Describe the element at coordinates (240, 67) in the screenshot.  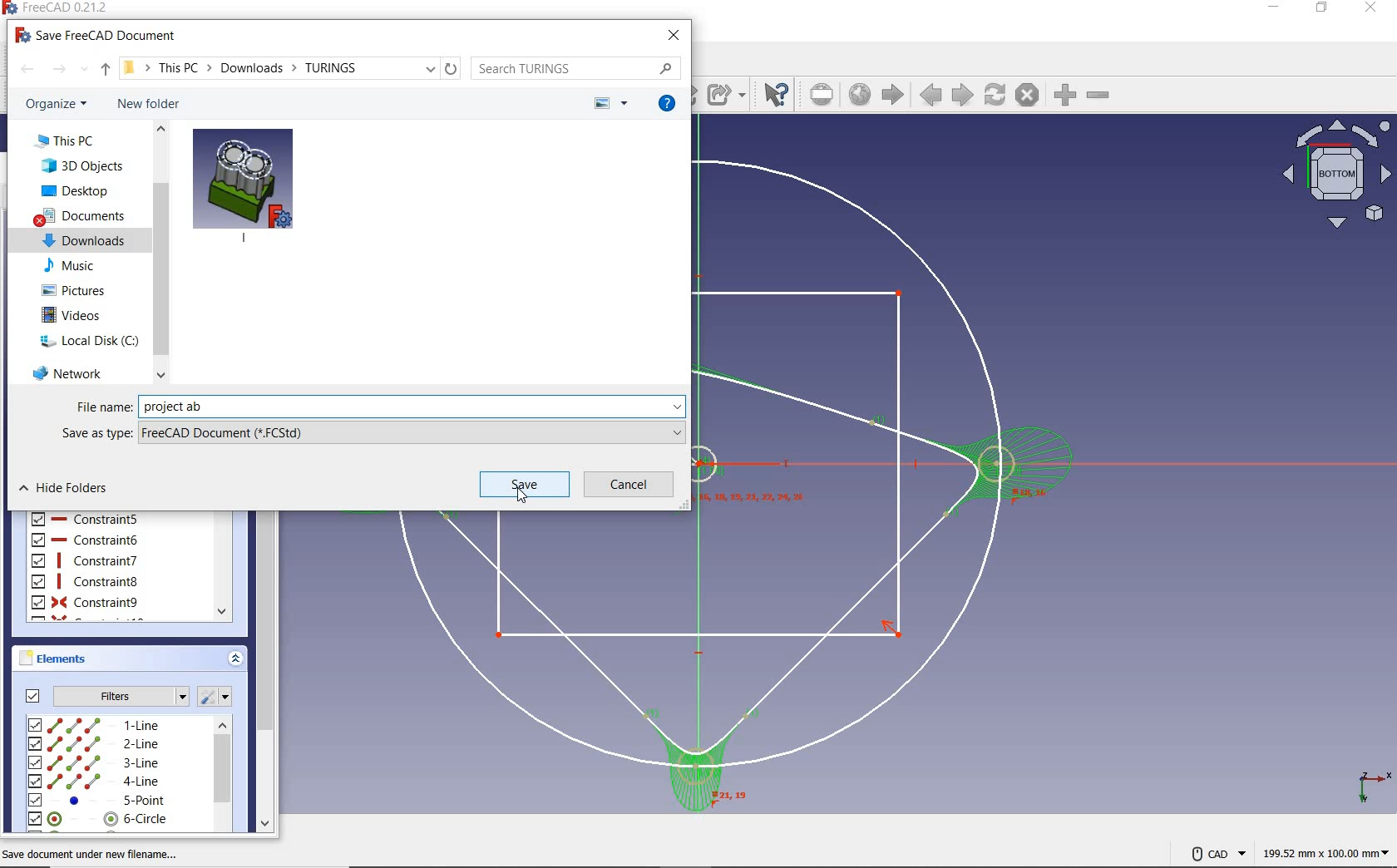
I see `file path` at that location.